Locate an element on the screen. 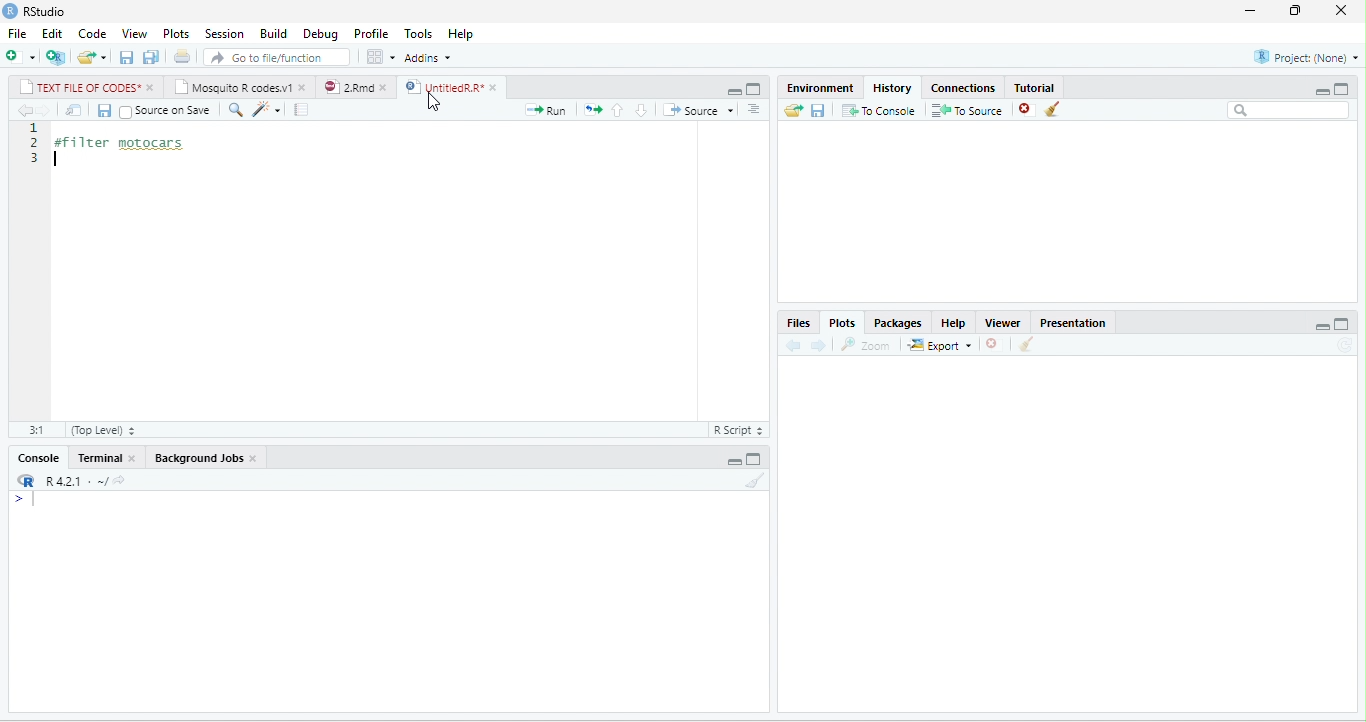  compile report is located at coordinates (301, 109).